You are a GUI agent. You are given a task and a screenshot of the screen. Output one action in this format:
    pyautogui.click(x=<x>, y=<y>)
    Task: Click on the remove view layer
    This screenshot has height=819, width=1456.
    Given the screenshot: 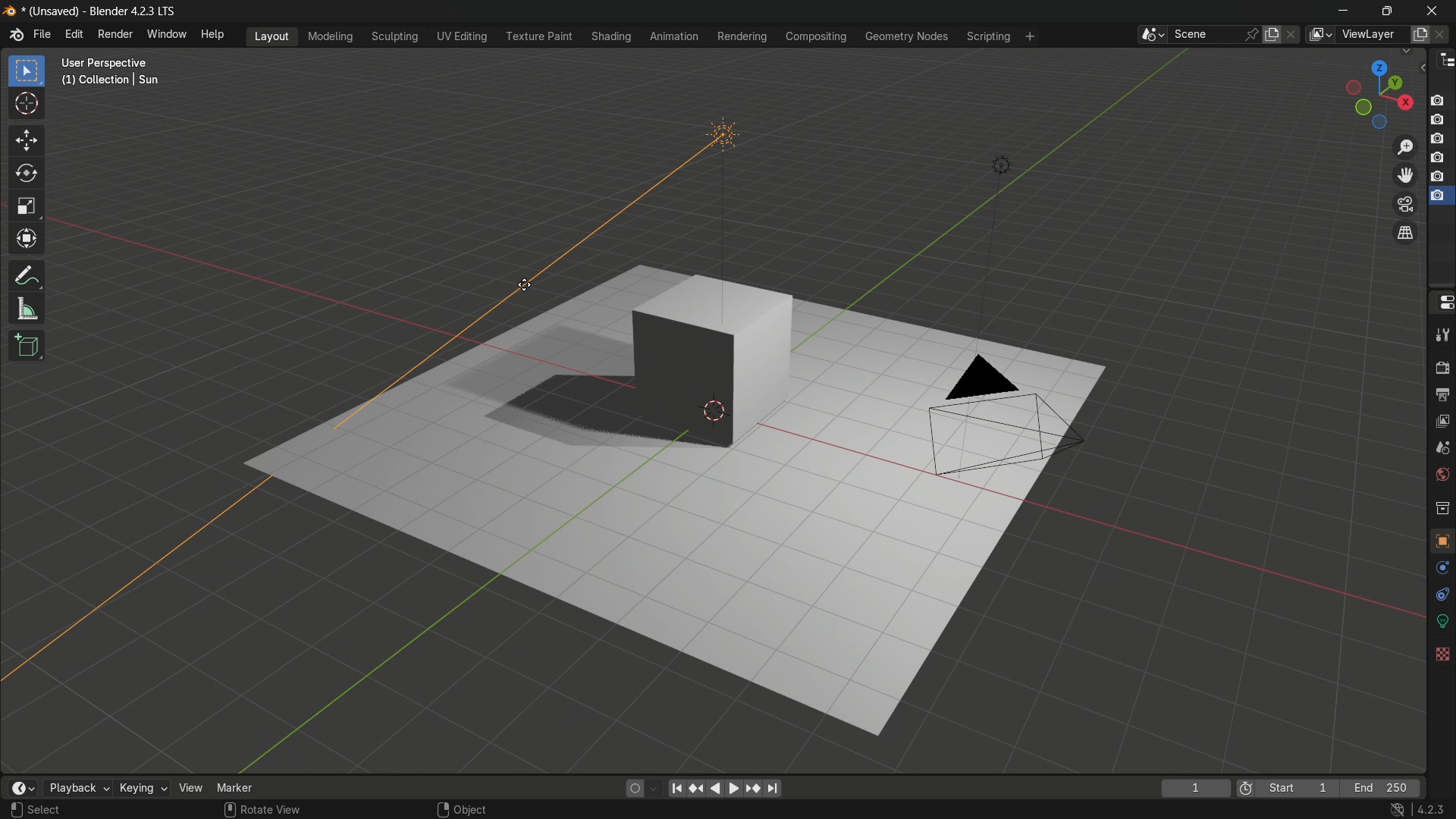 What is the action you would take?
    pyautogui.click(x=1444, y=34)
    